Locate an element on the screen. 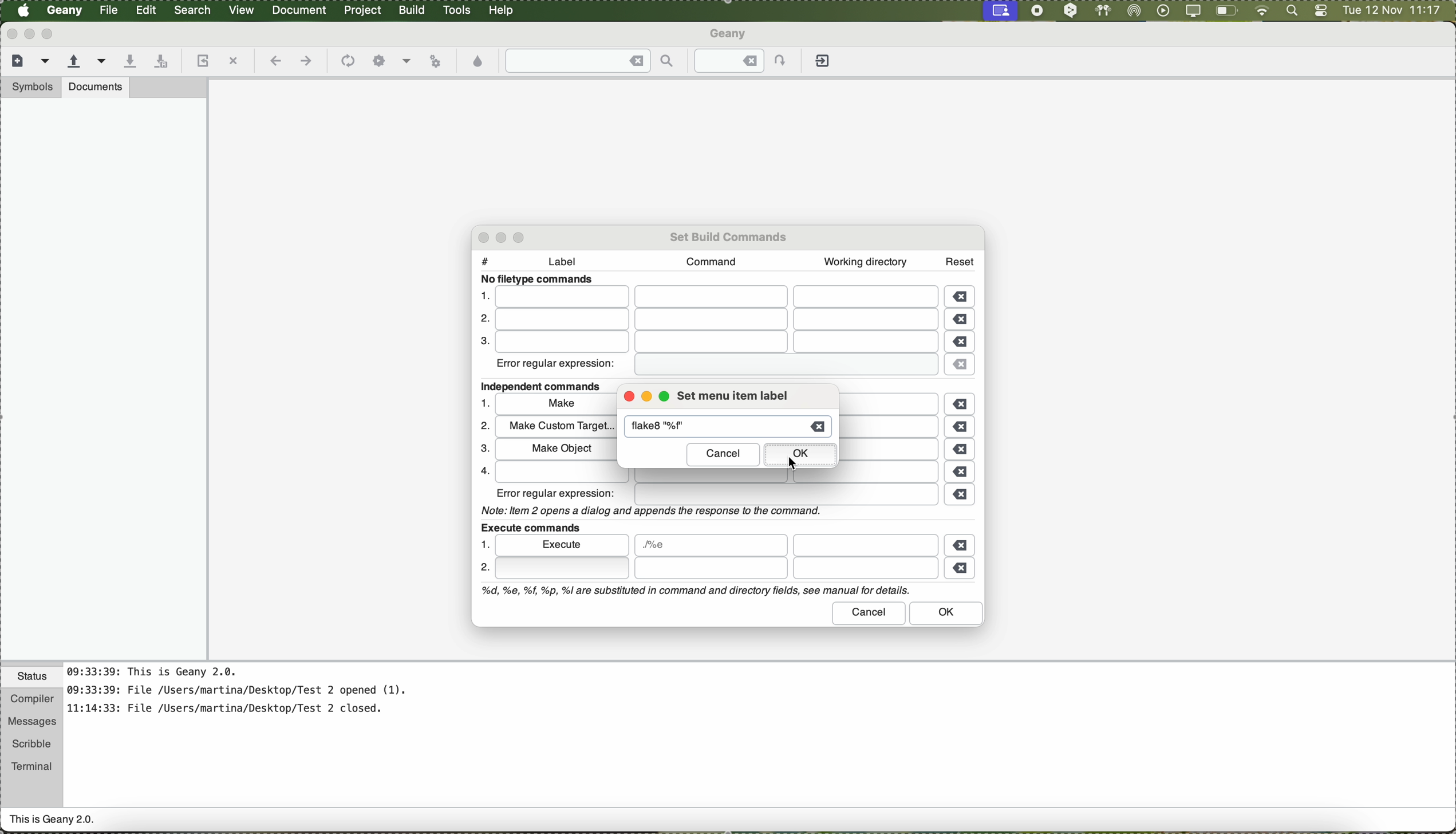 The height and width of the screenshot is (834, 1456). project is located at coordinates (362, 10).